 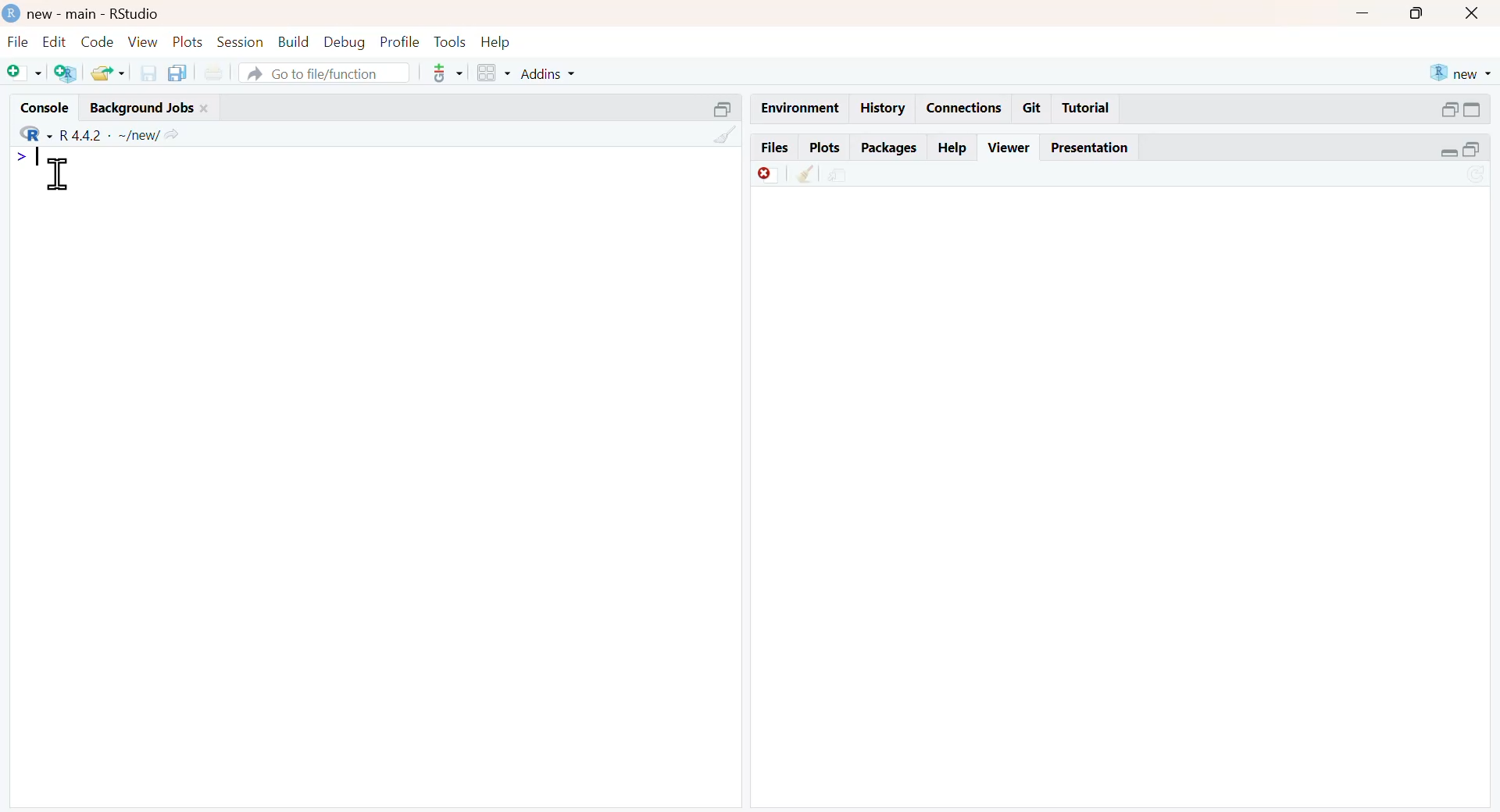 I want to click on build, so click(x=295, y=41).